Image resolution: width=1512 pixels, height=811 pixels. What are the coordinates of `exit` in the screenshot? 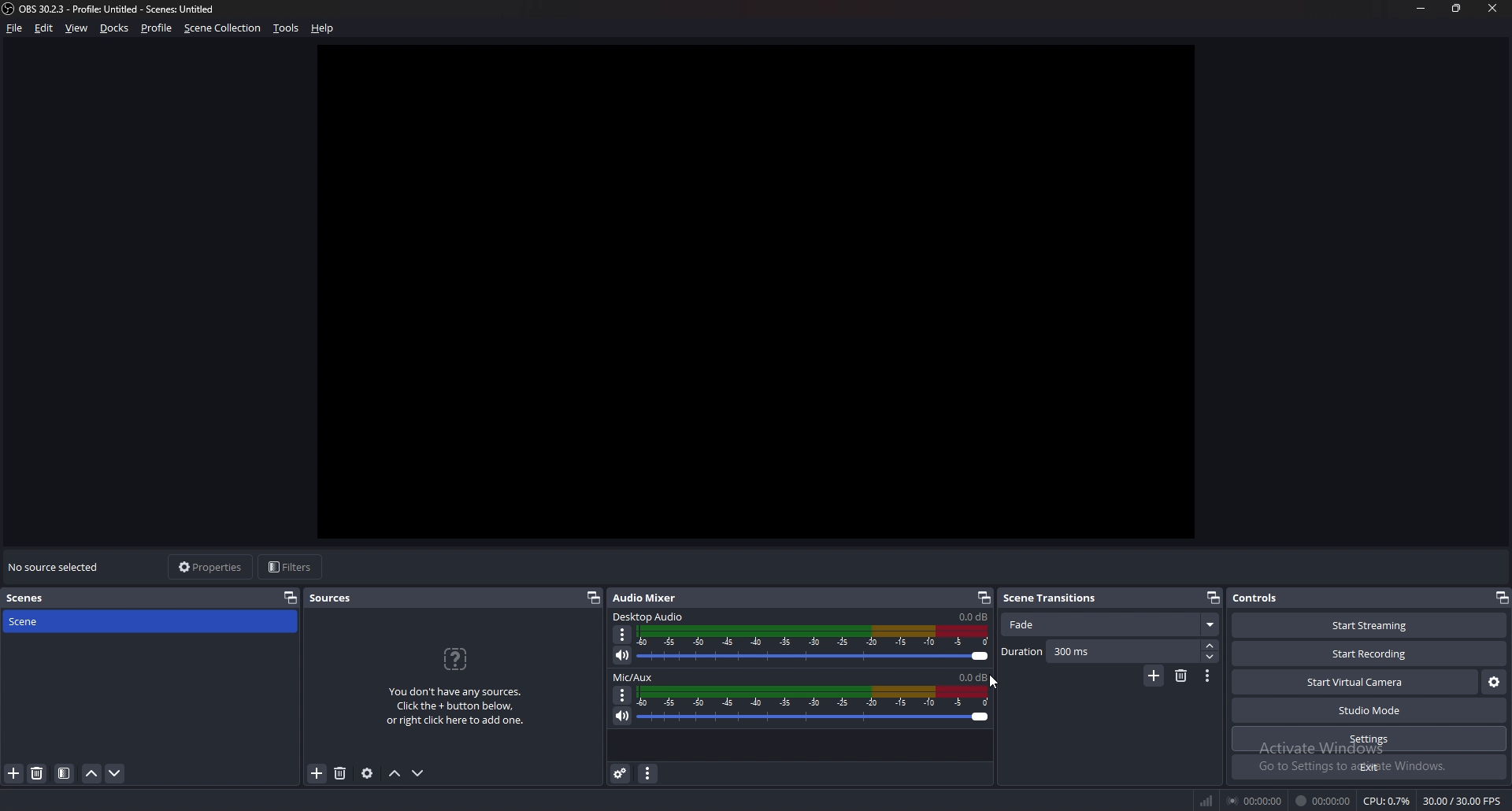 It's located at (1370, 767).